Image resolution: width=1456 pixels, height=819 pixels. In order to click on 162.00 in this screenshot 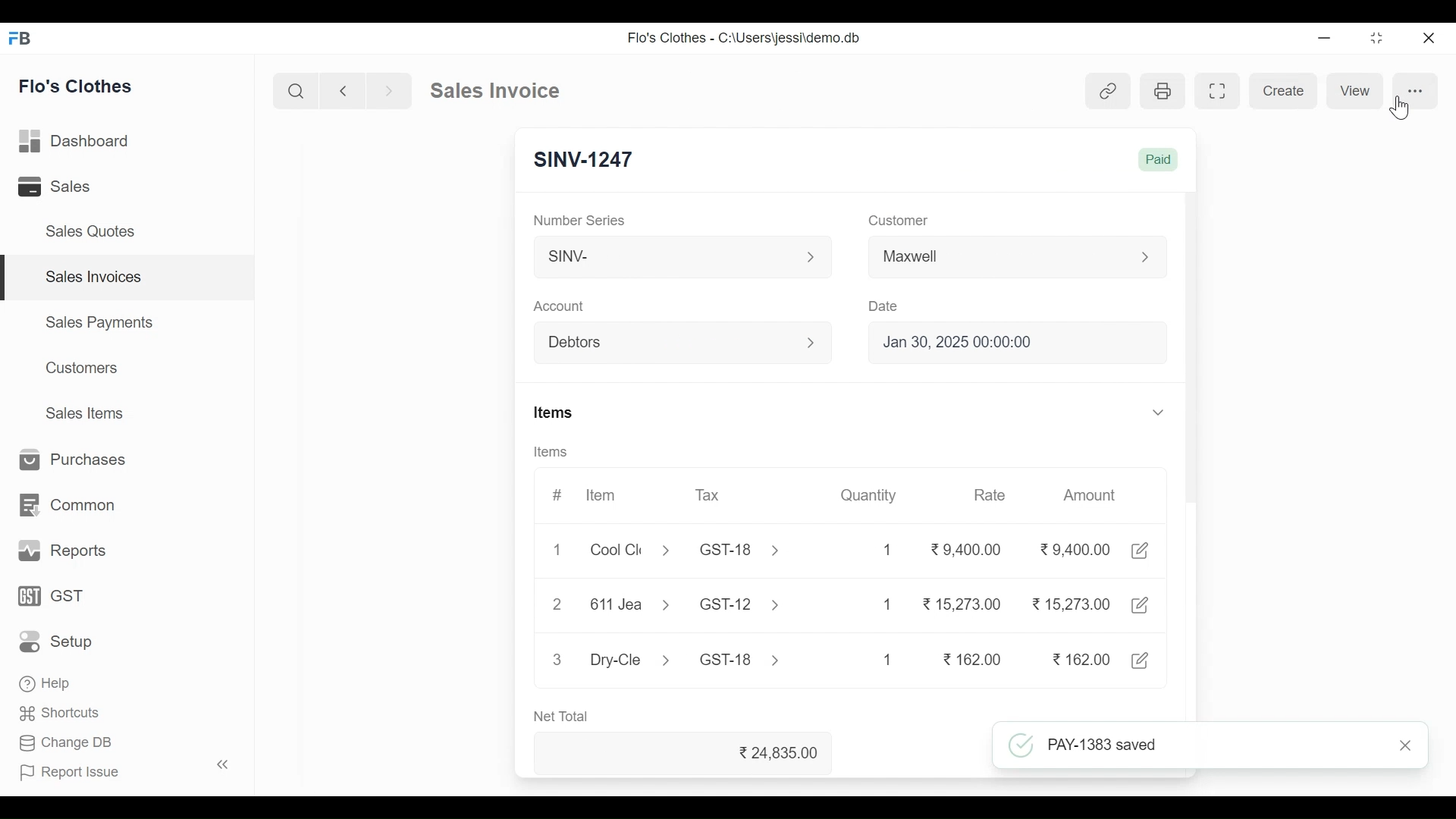, I will do `click(974, 659)`.